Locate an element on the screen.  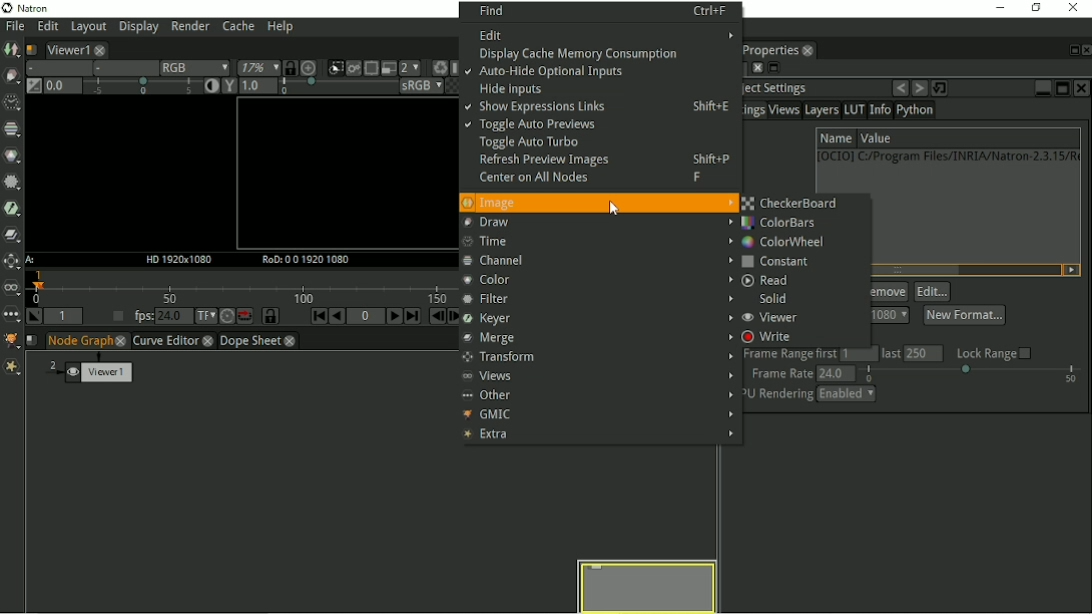
Constant is located at coordinates (778, 262).